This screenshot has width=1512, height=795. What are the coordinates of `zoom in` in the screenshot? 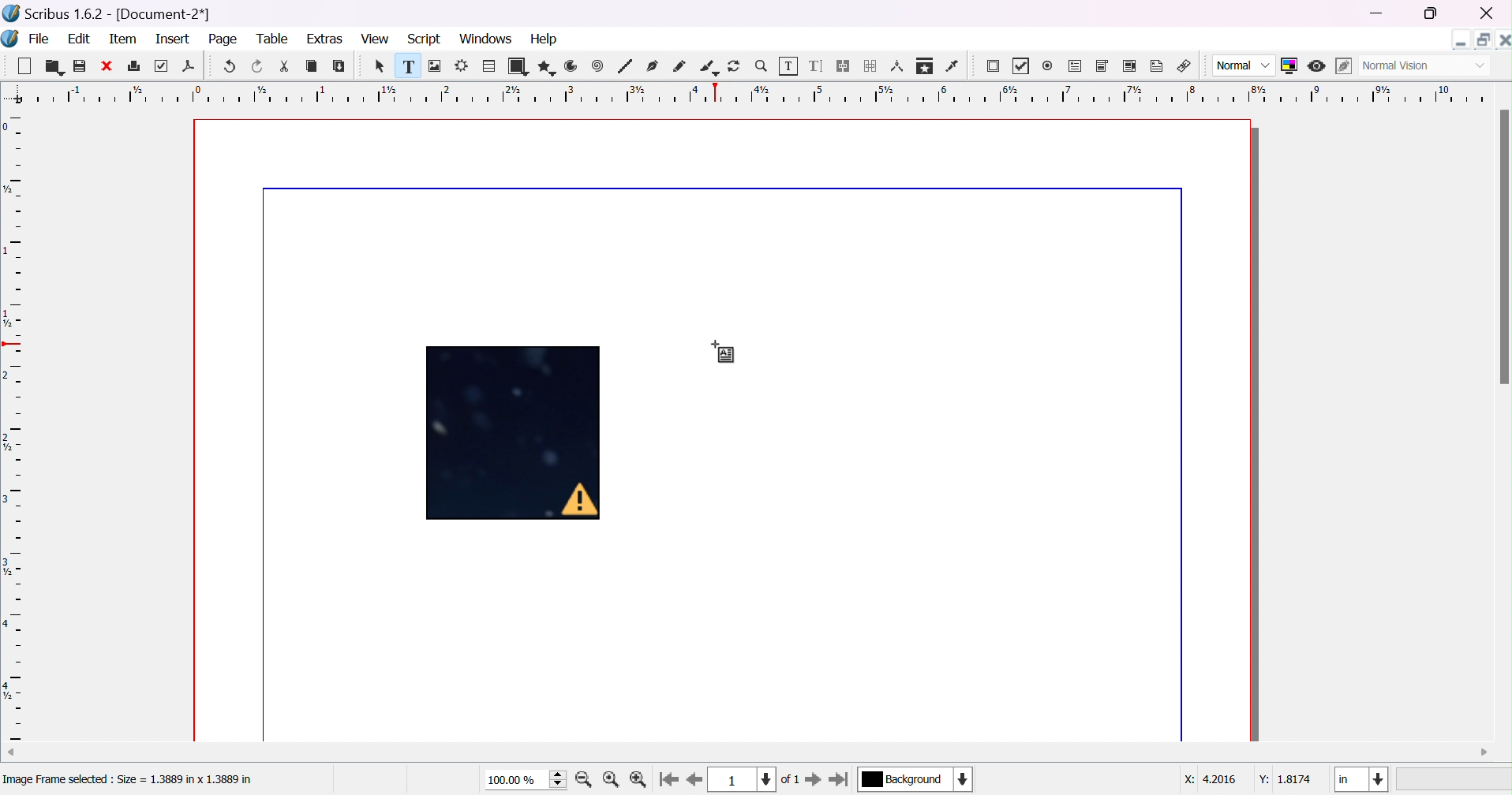 It's located at (584, 780).